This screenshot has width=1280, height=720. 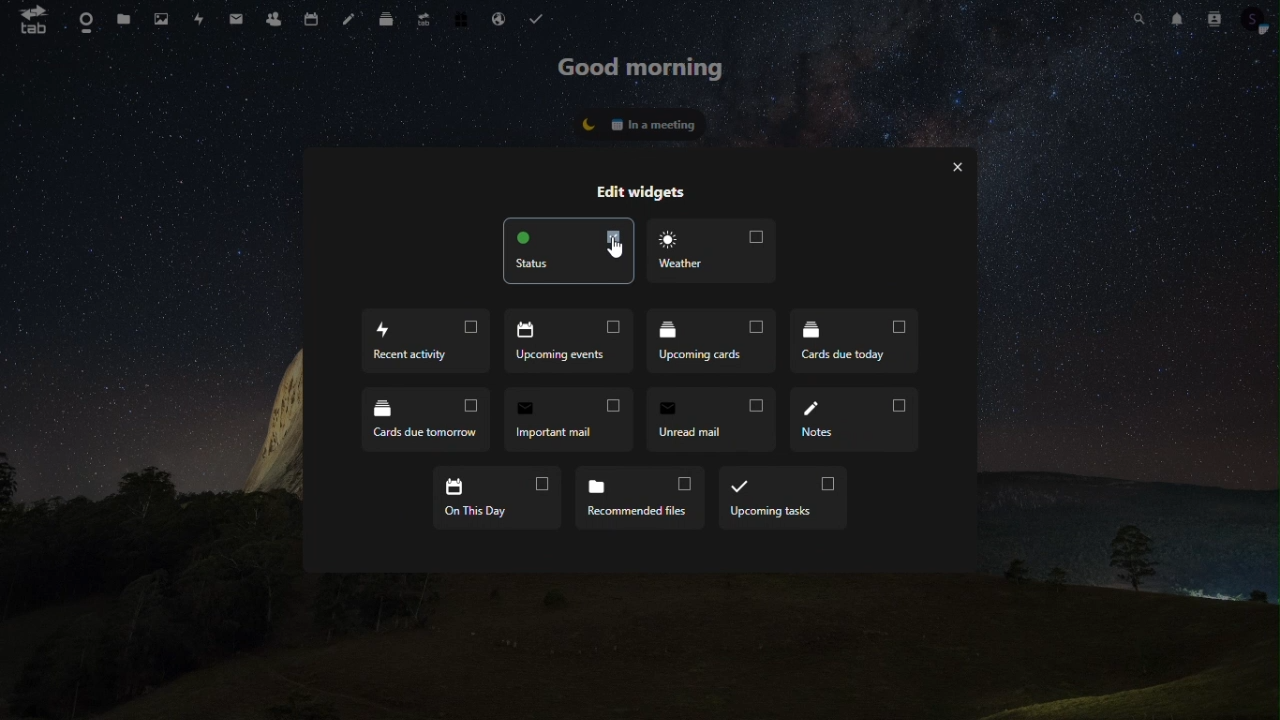 I want to click on cards due tomarrow, so click(x=425, y=418).